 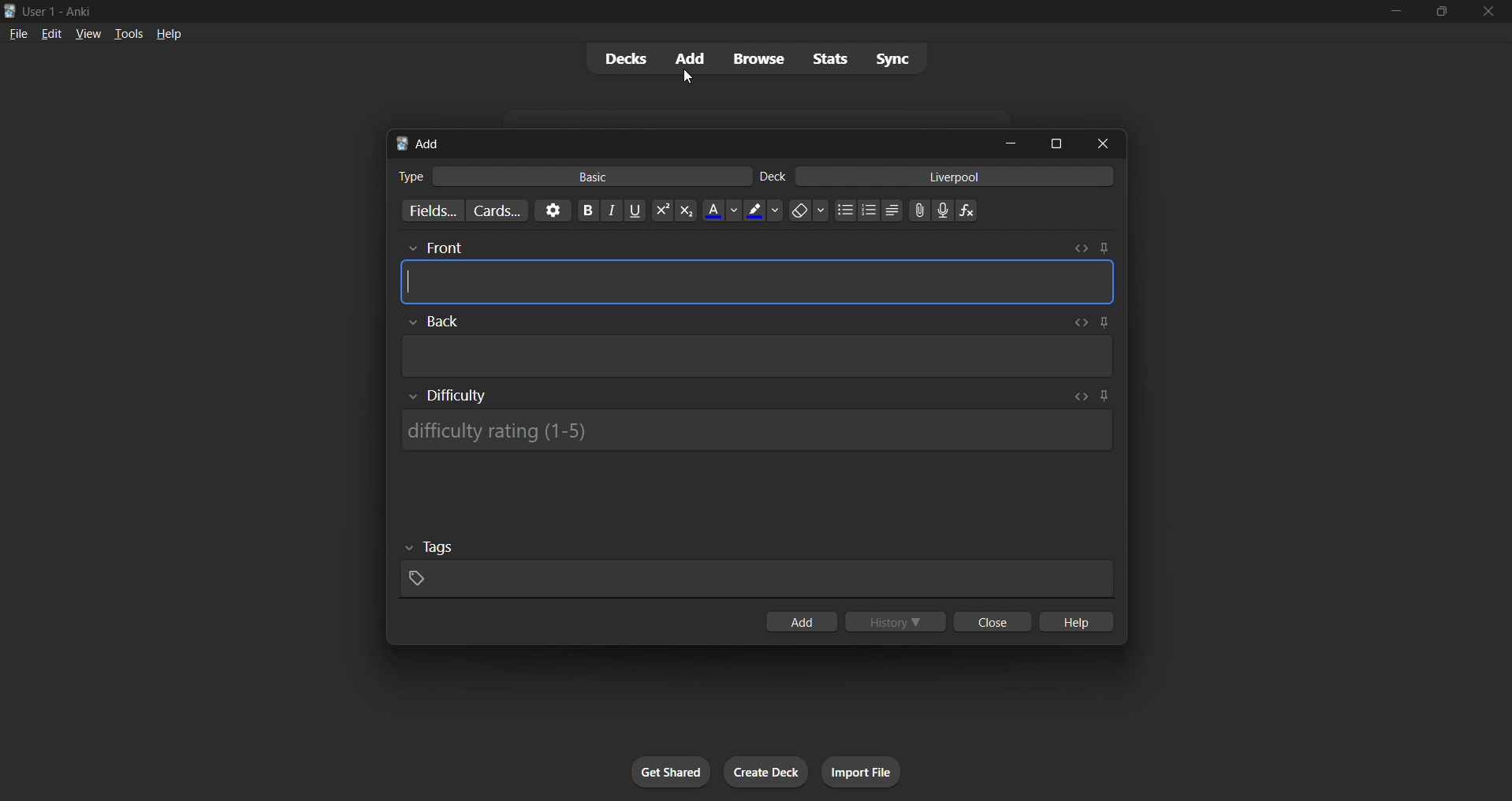 I want to click on add, so click(x=687, y=58).